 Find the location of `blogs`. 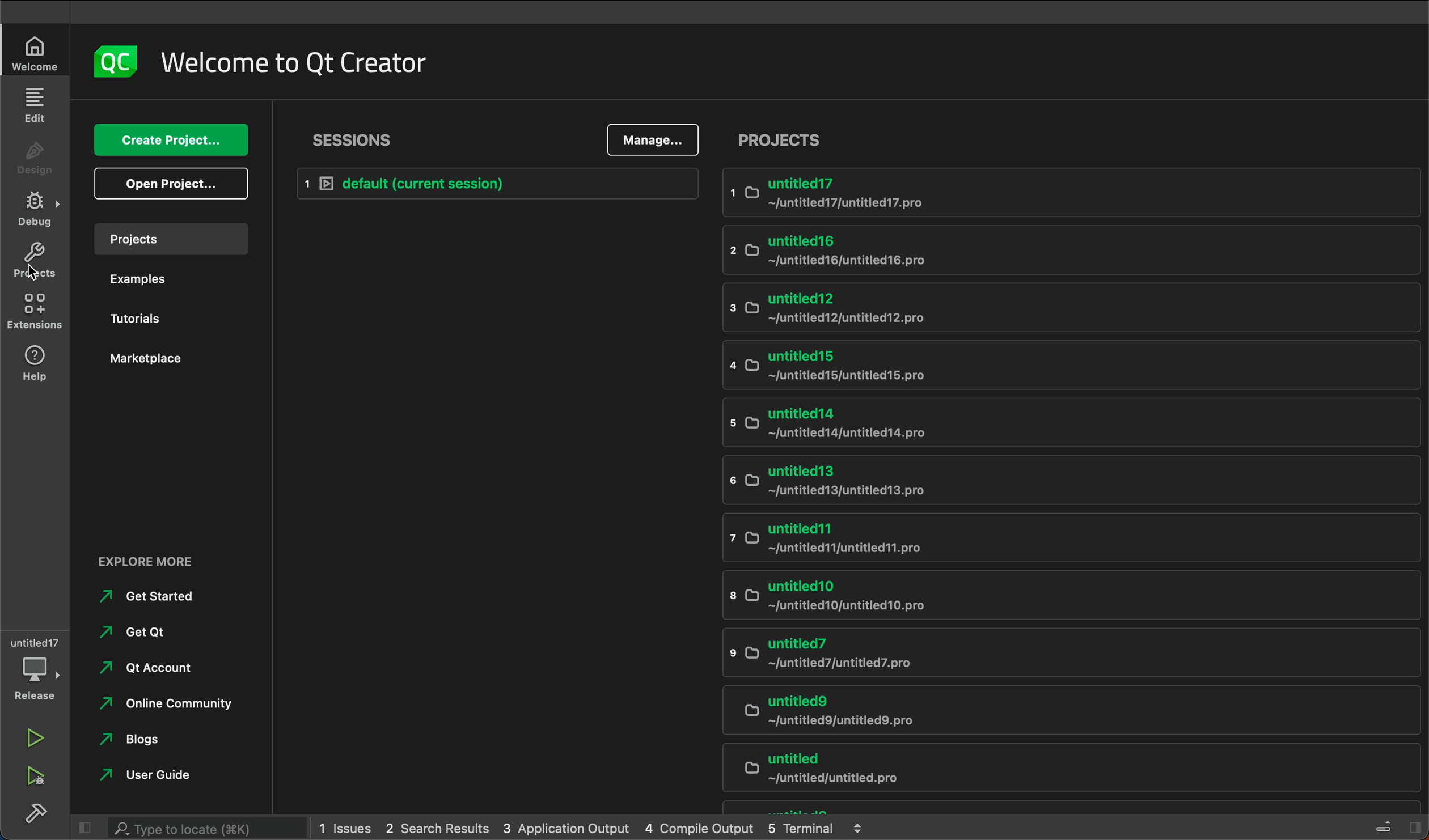

blogs is located at coordinates (136, 739).